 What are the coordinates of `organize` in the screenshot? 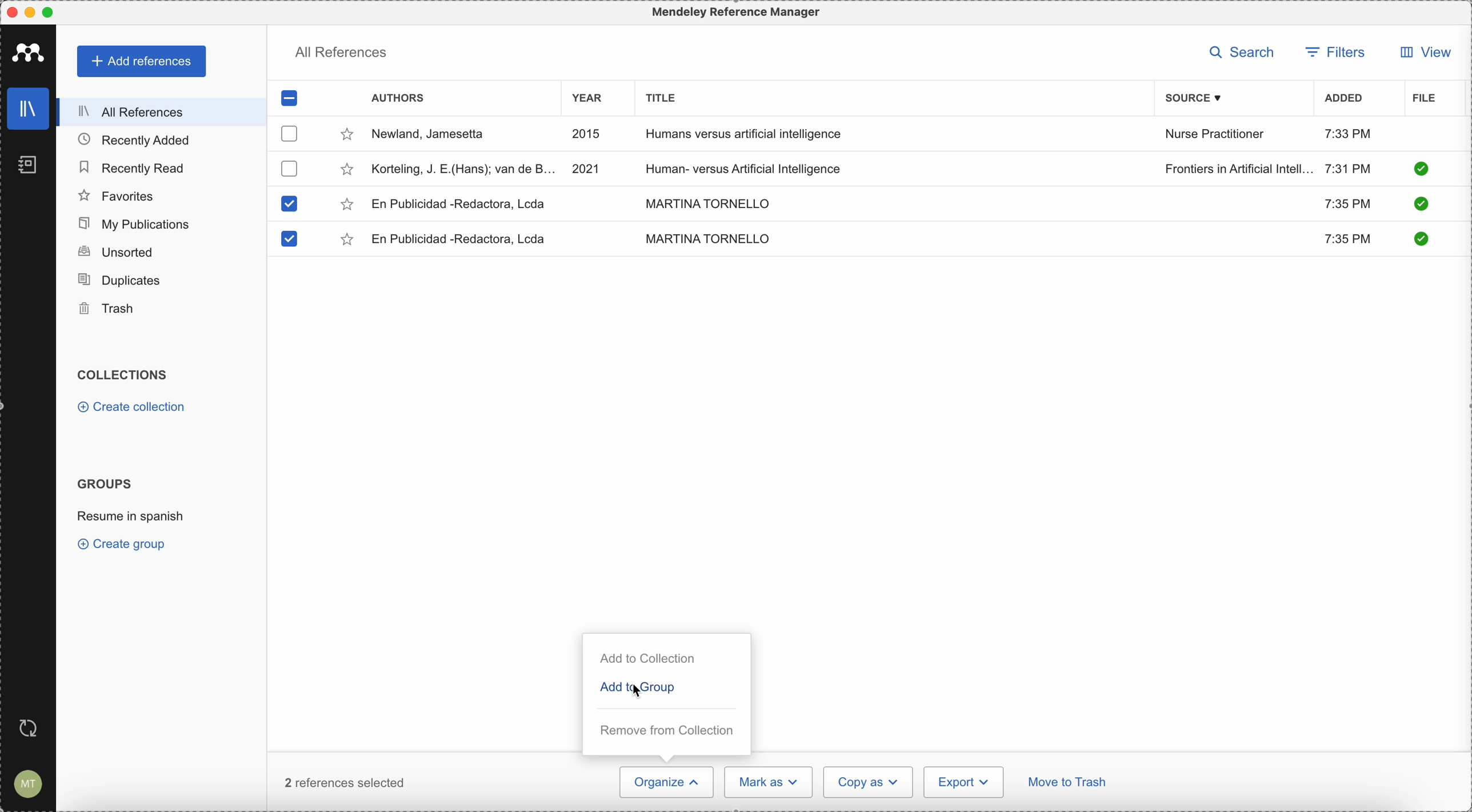 It's located at (665, 782).